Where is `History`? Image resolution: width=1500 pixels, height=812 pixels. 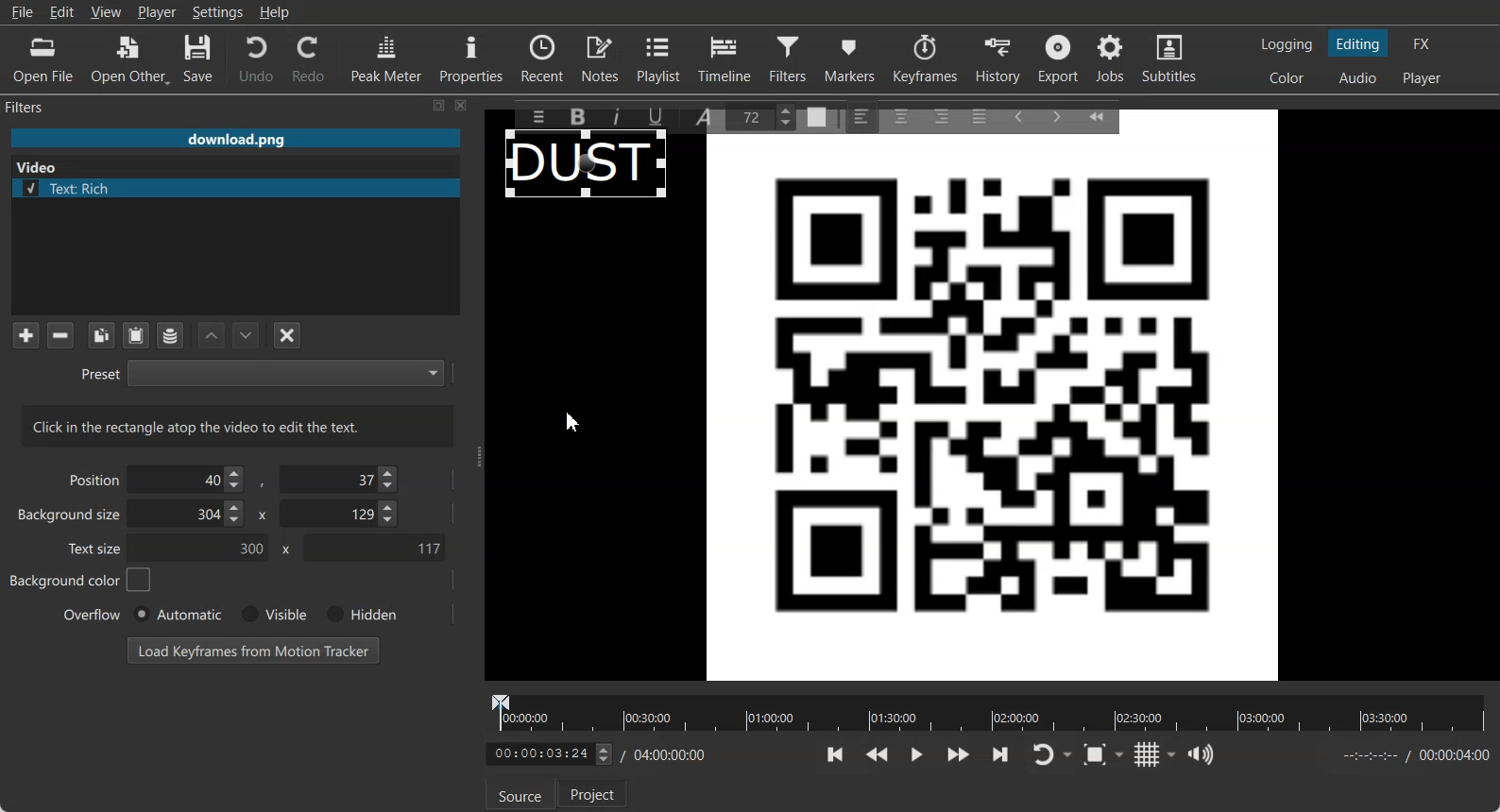
History is located at coordinates (1000, 59).